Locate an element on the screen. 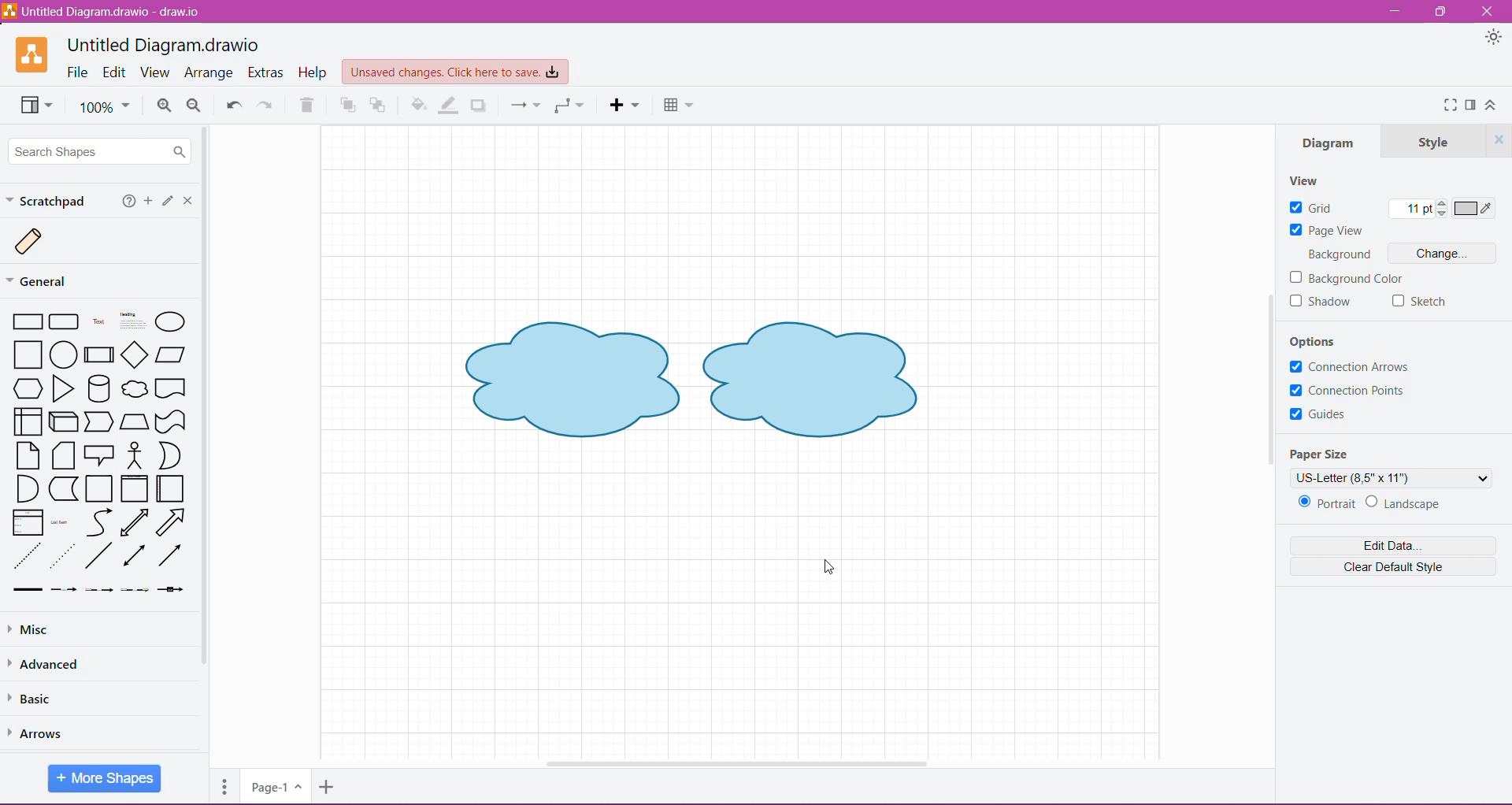 The height and width of the screenshot is (805, 1512). Original Shape is located at coordinates (569, 382).